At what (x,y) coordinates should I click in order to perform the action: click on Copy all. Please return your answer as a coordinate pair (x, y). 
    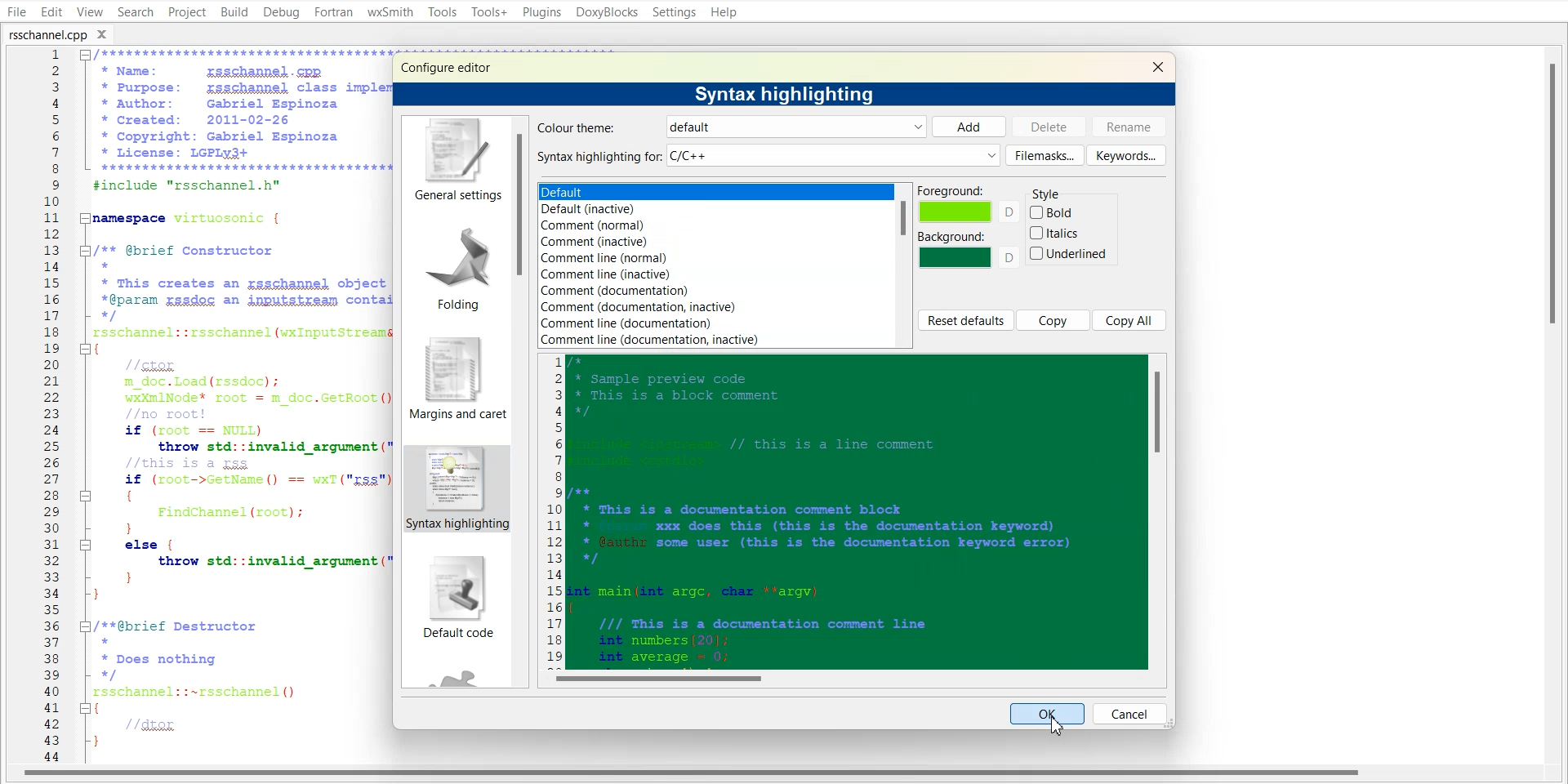
    Looking at the image, I should click on (1130, 319).